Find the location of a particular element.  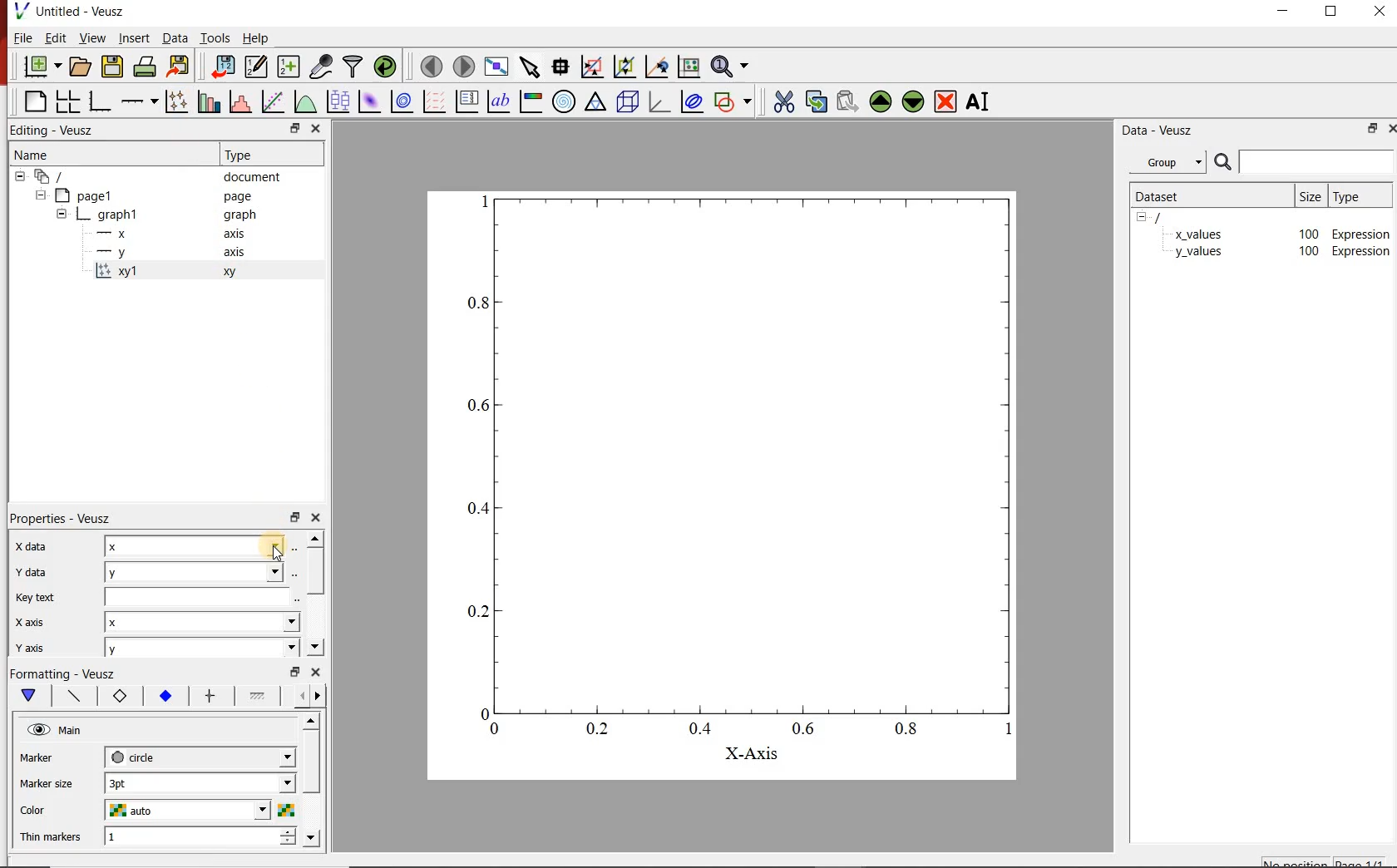

all apegs is located at coordinates (58, 176).